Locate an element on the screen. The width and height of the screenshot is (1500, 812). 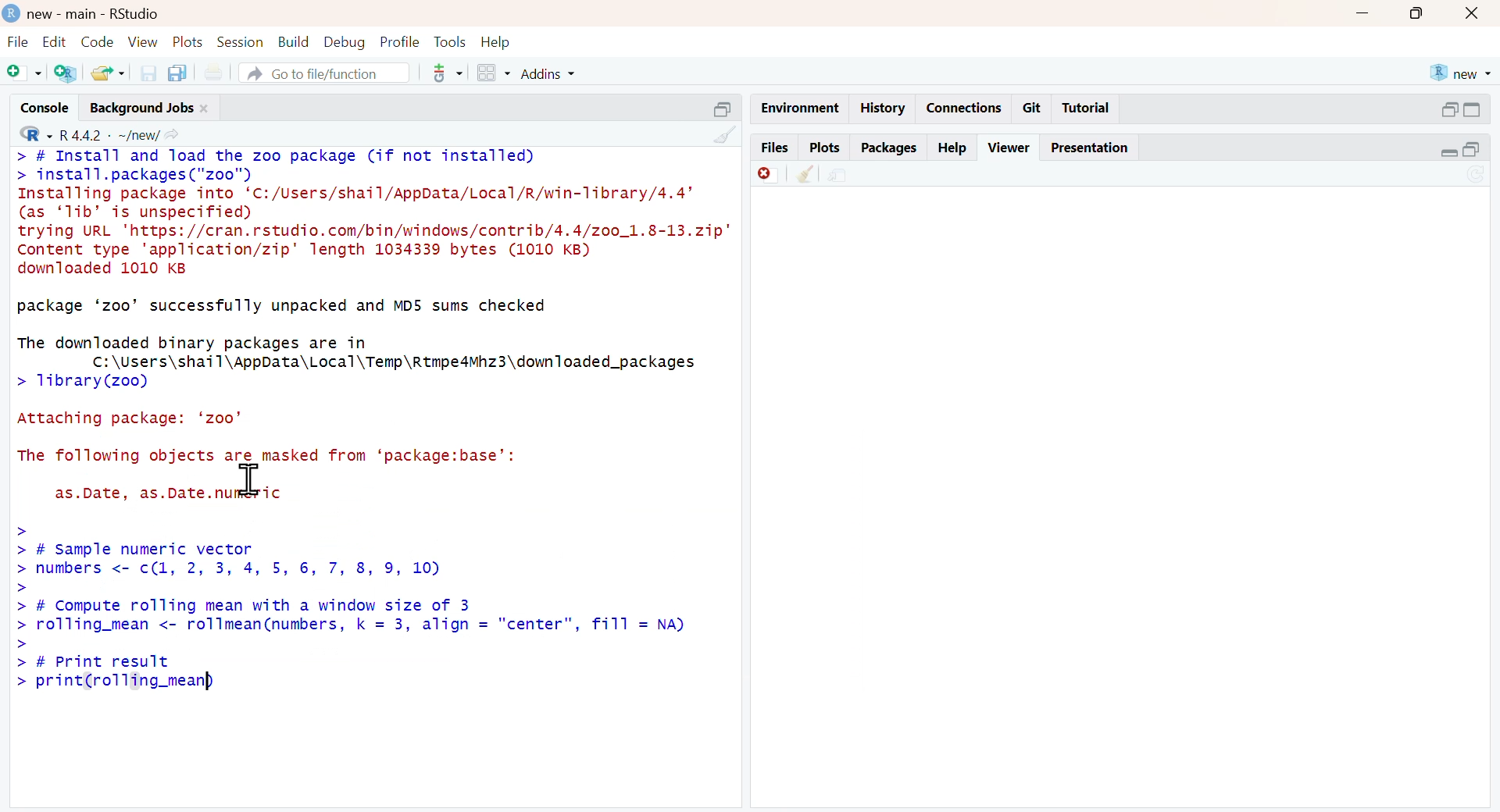
maximise is located at coordinates (1417, 13).